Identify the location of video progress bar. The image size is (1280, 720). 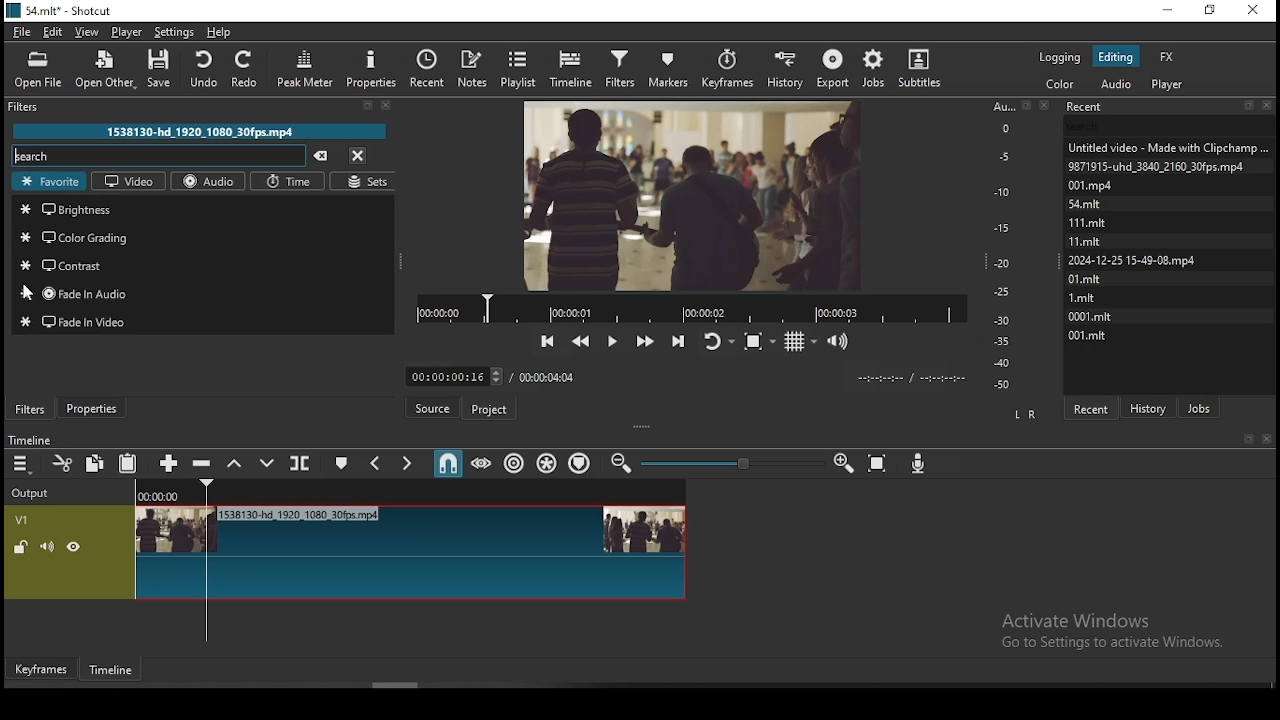
(691, 307).